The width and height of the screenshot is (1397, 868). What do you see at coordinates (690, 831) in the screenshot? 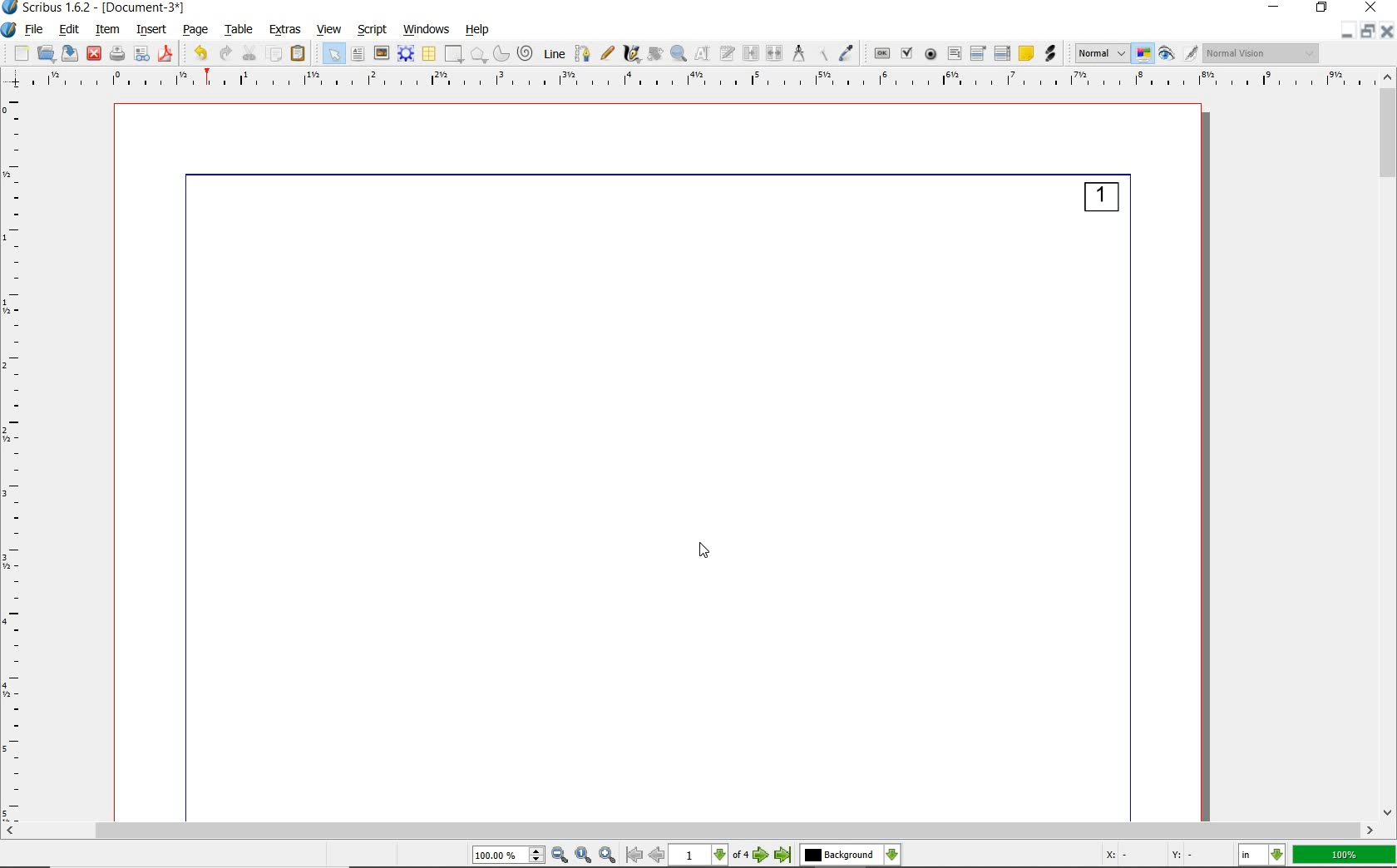
I see `scrollbar` at bounding box center [690, 831].